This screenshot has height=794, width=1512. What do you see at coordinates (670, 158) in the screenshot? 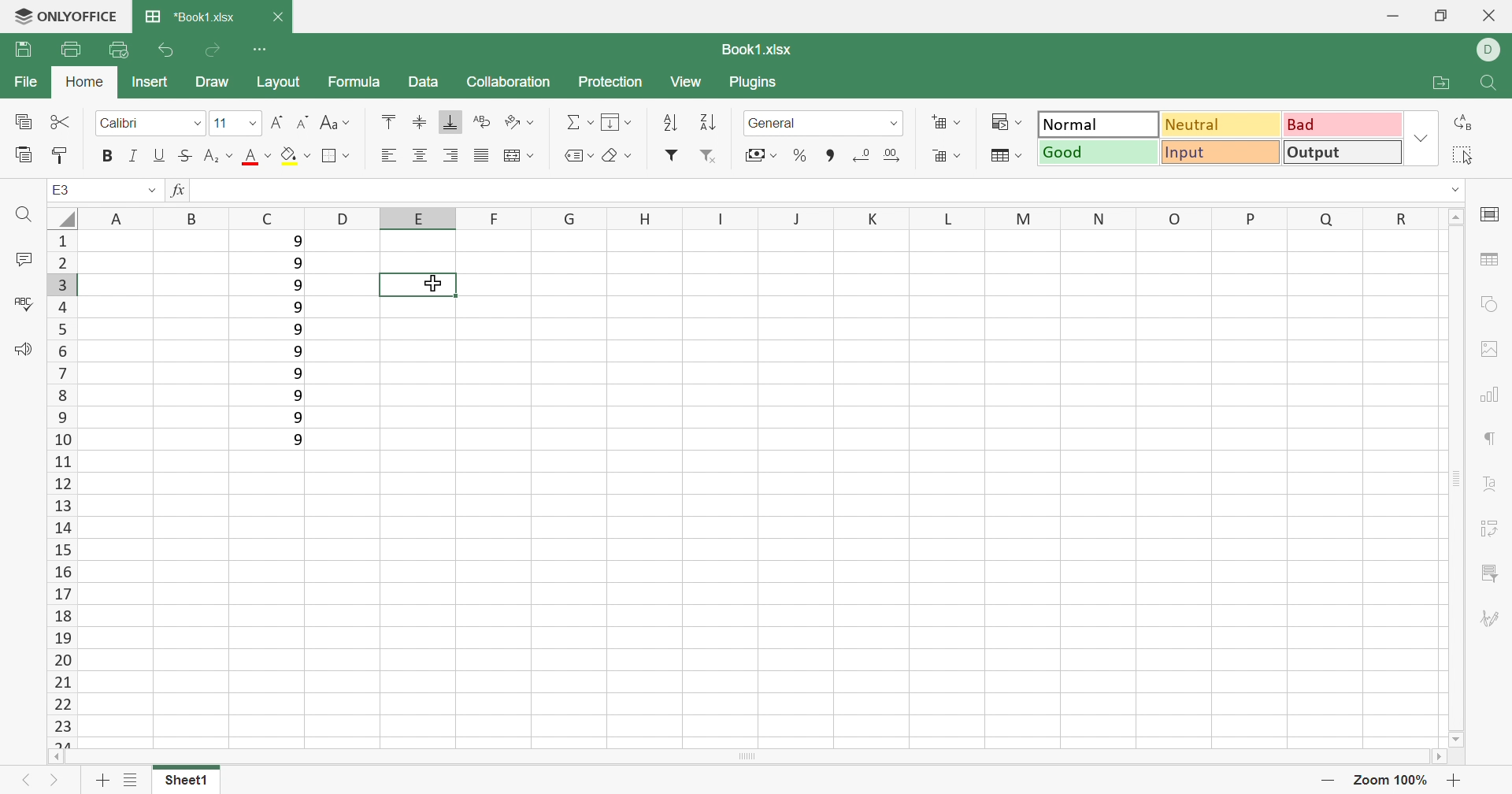
I see `Filter` at bounding box center [670, 158].